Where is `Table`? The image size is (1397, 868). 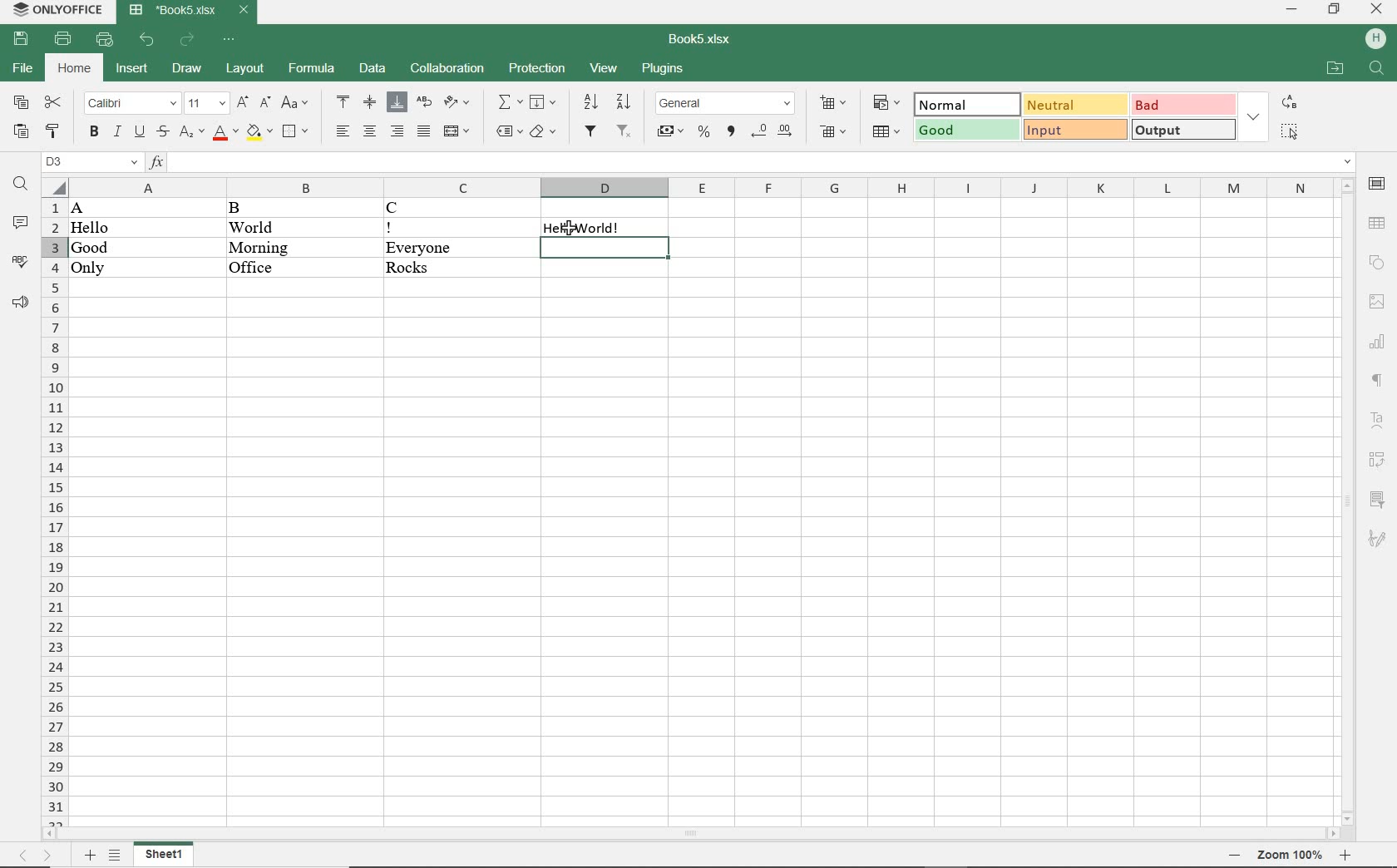
Table is located at coordinates (1377, 219).